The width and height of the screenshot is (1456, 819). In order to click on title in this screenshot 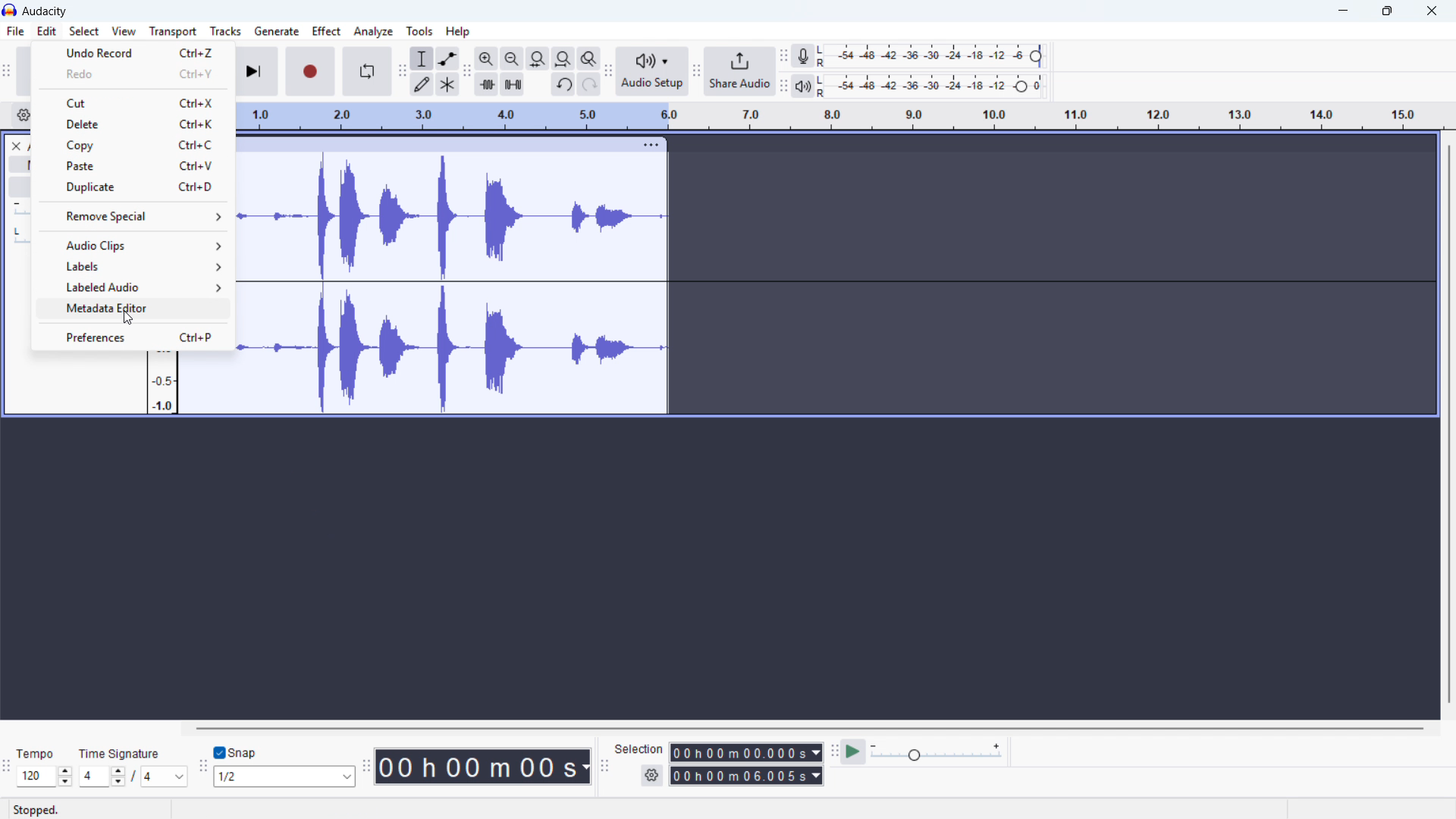, I will do `click(45, 11)`.